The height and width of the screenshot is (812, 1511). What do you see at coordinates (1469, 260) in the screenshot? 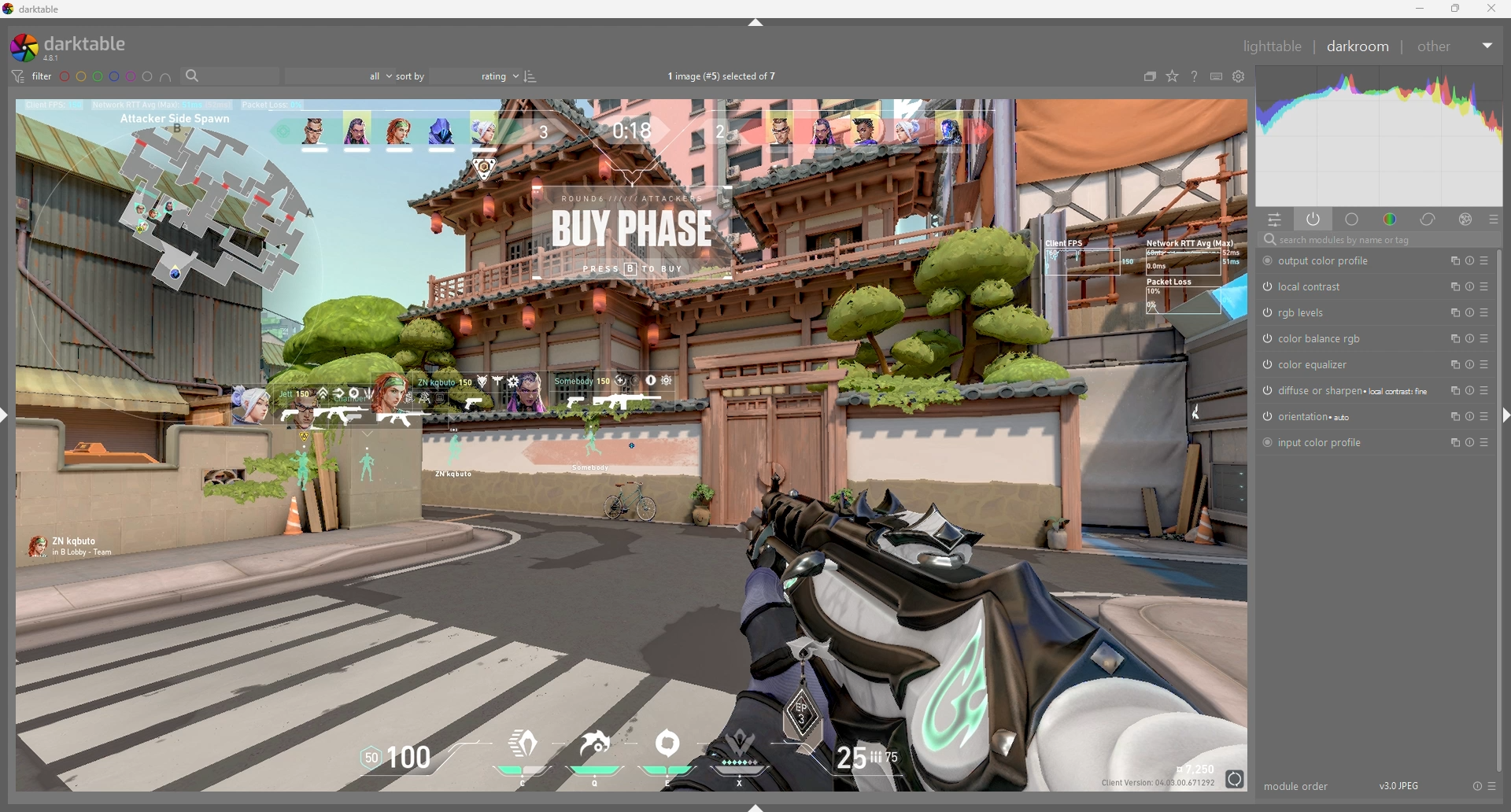
I see `reset` at bounding box center [1469, 260].